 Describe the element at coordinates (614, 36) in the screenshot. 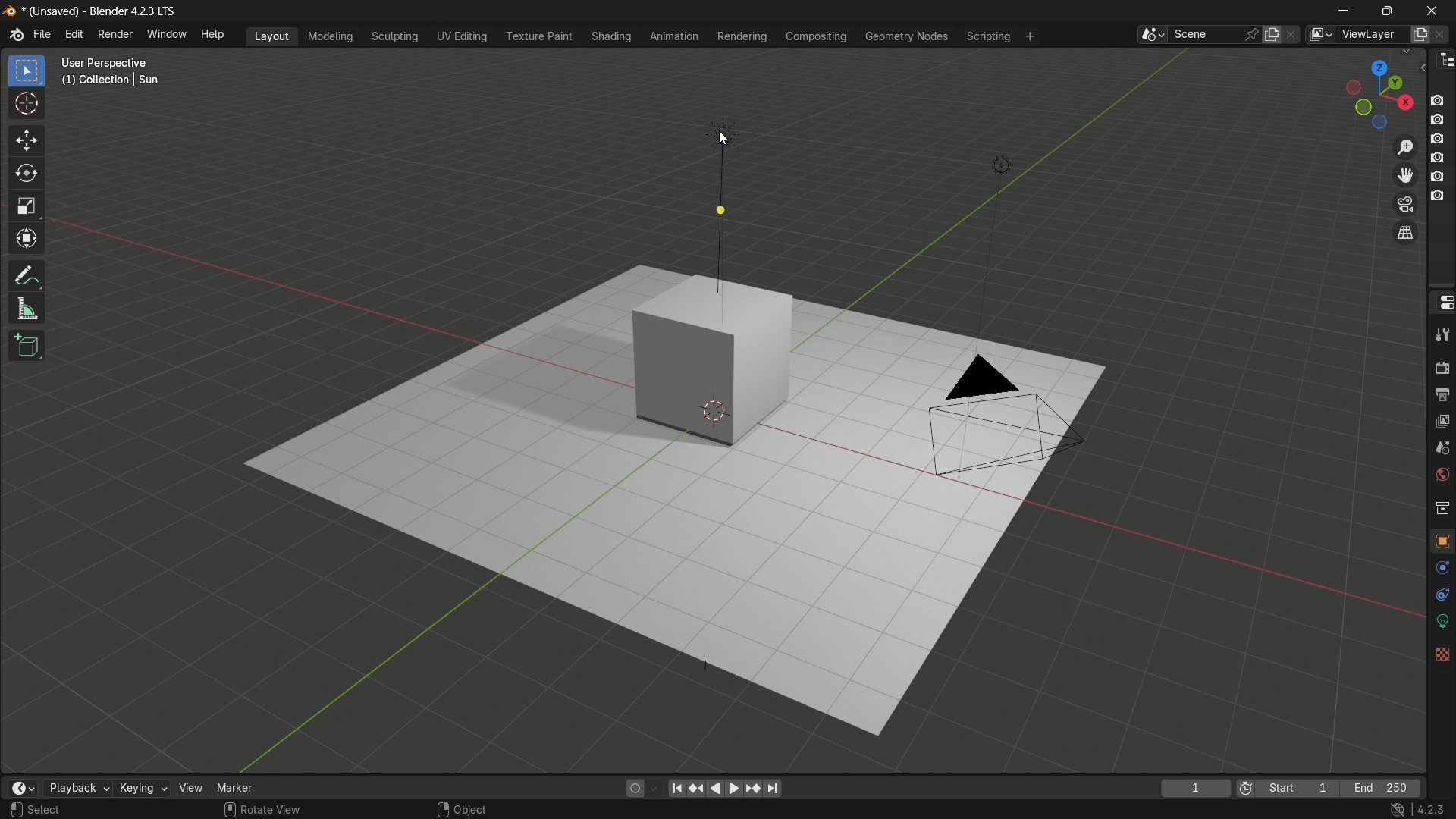

I see `shading` at that location.